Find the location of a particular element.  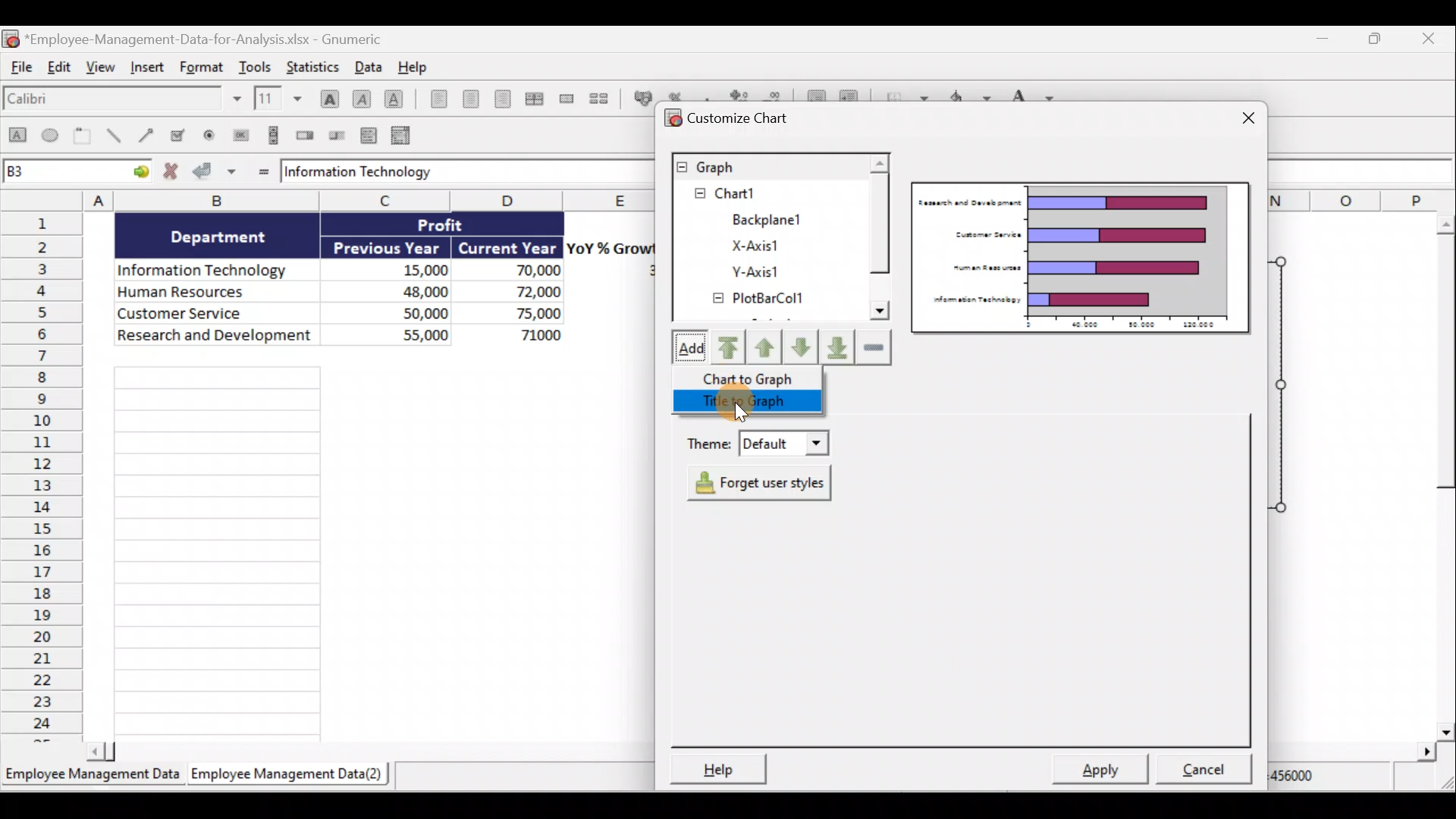

Accept change is located at coordinates (217, 173).